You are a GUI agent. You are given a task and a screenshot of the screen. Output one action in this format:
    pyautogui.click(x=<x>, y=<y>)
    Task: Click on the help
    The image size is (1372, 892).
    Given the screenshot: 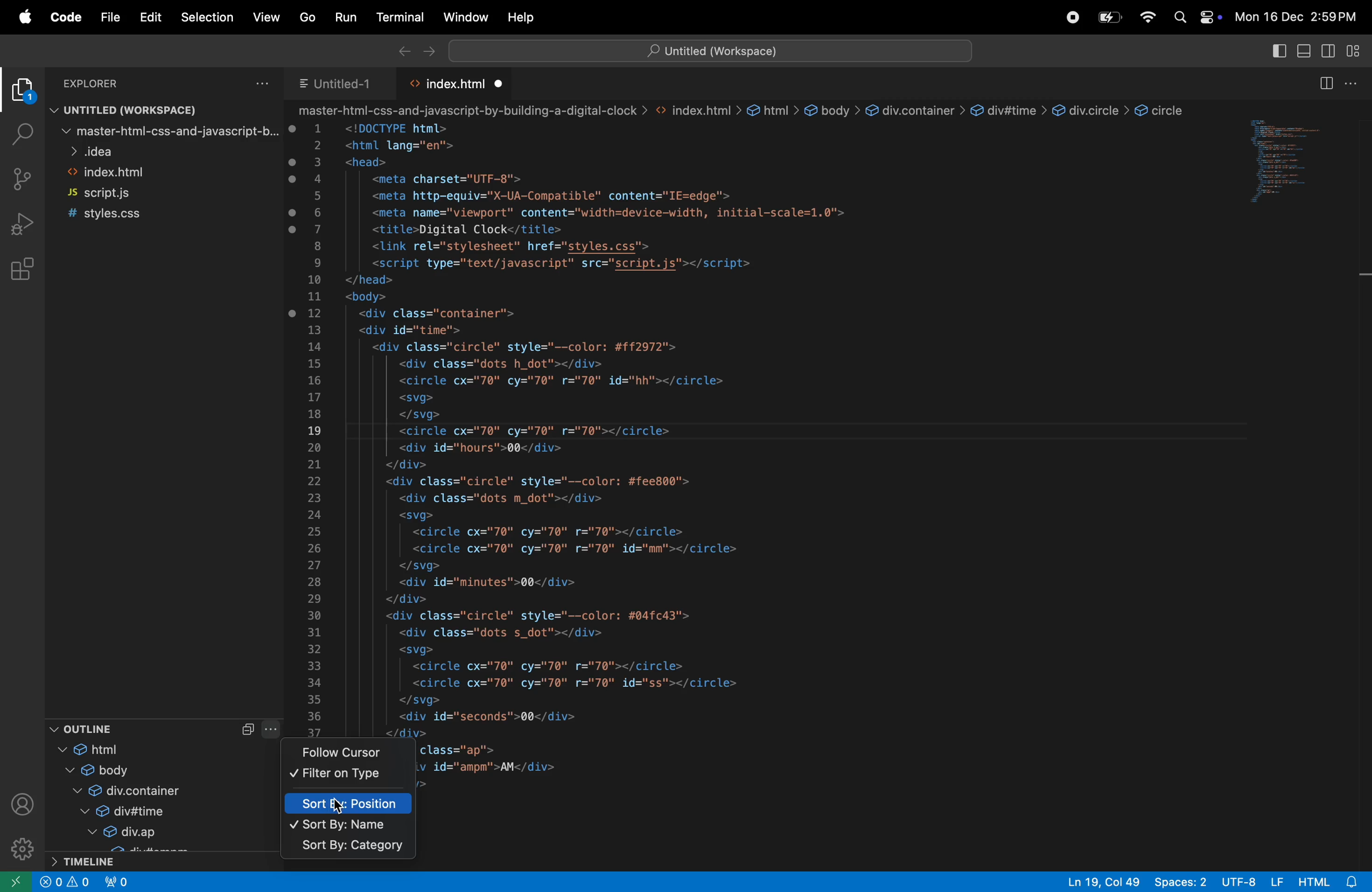 What is the action you would take?
    pyautogui.click(x=522, y=18)
    